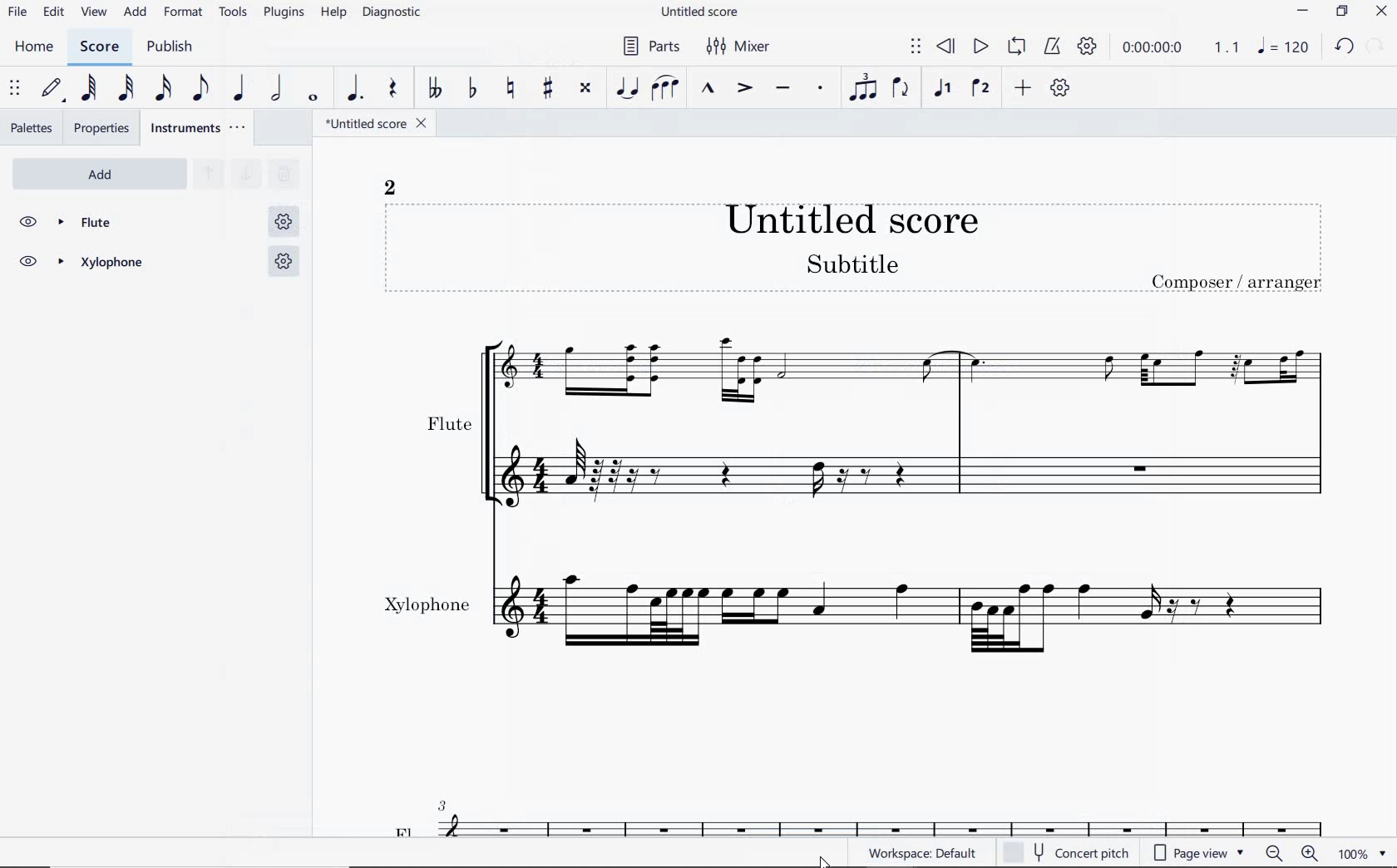 The height and width of the screenshot is (868, 1397). What do you see at coordinates (155, 264) in the screenshot?
I see `XYLOPHONE` at bounding box center [155, 264].